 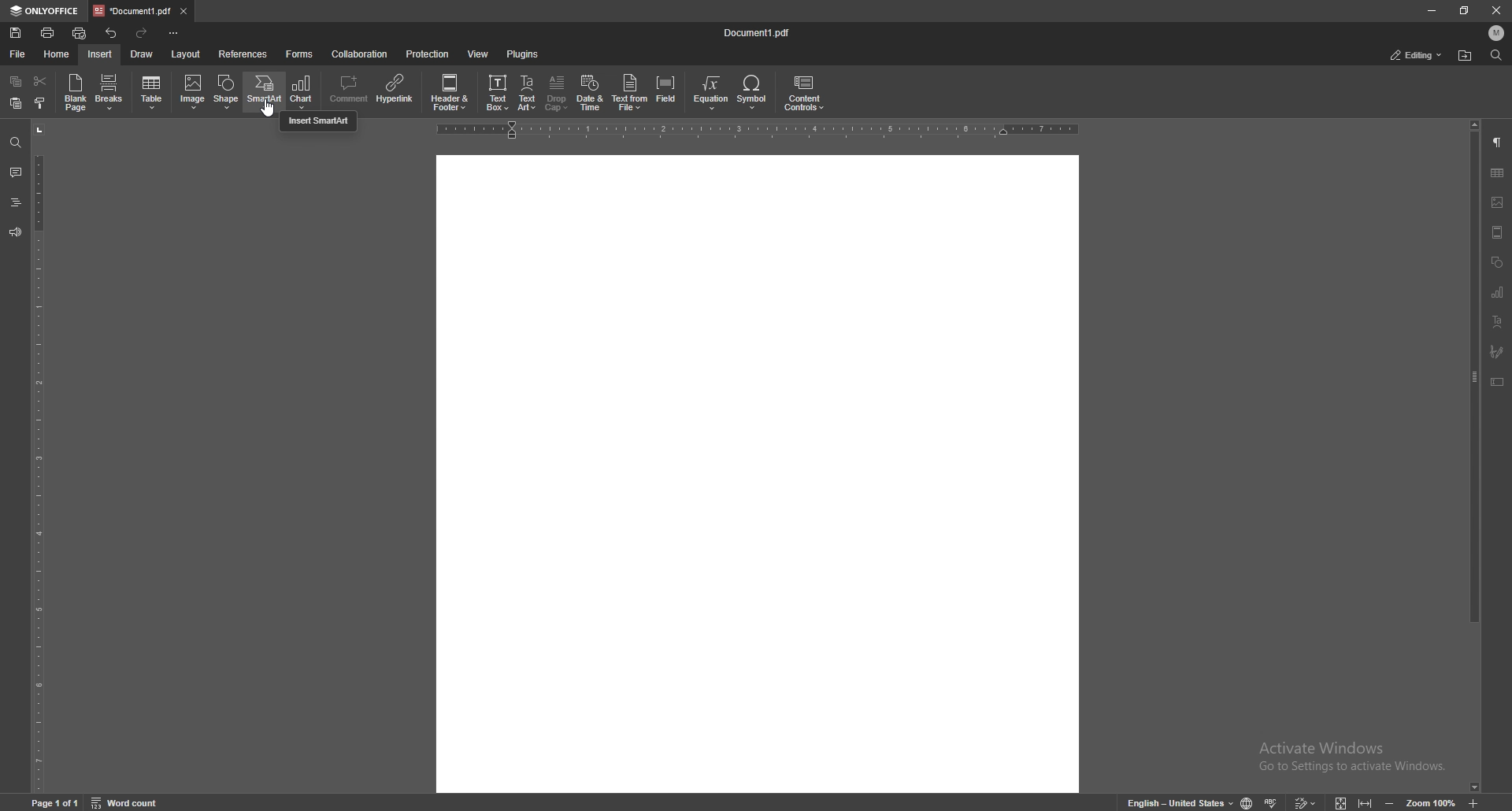 What do you see at coordinates (176, 32) in the screenshot?
I see `options` at bounding box center [176, 32].